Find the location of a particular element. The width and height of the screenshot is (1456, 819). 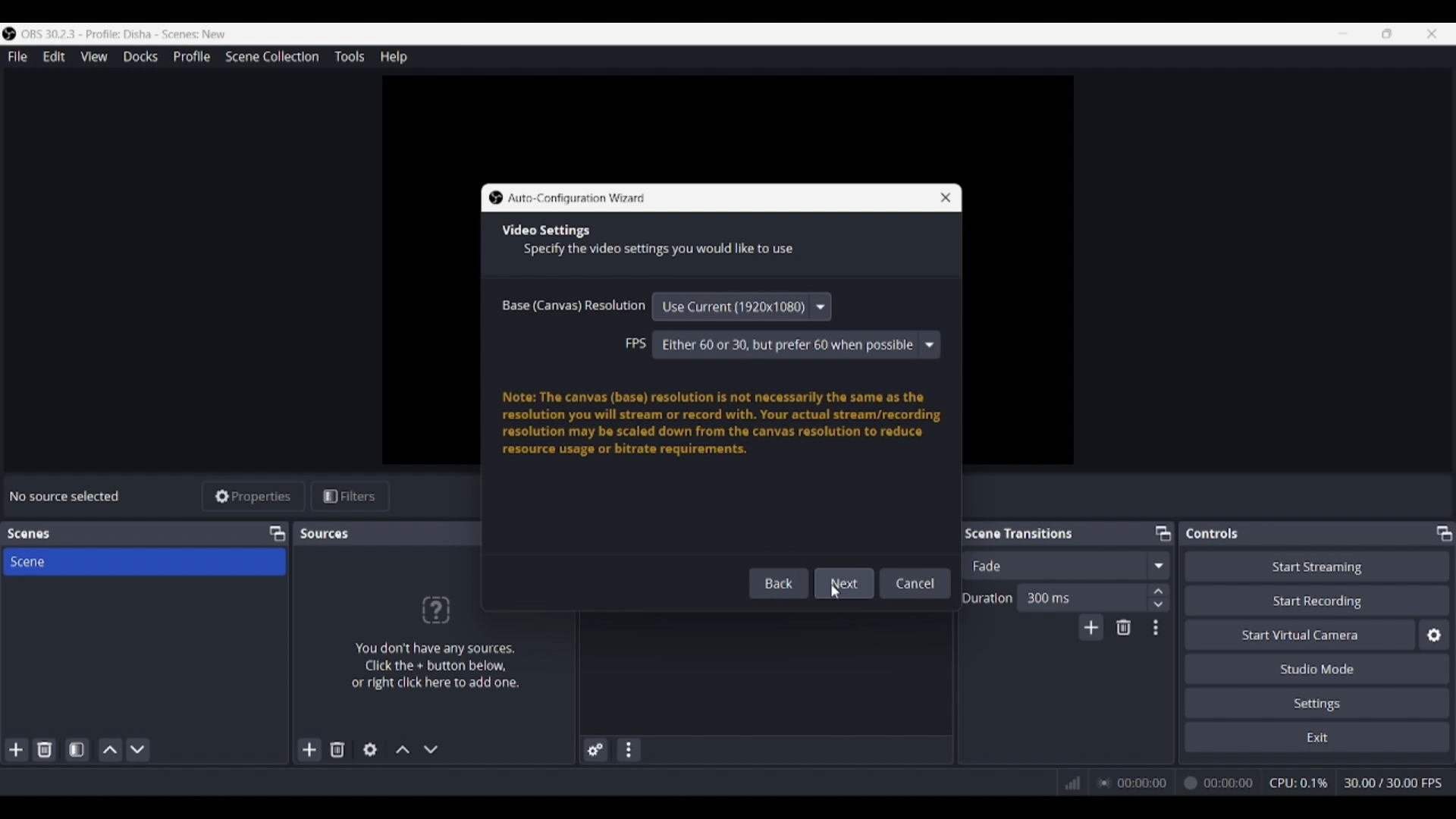

Frames per second is located at coordinates (1393, 783).